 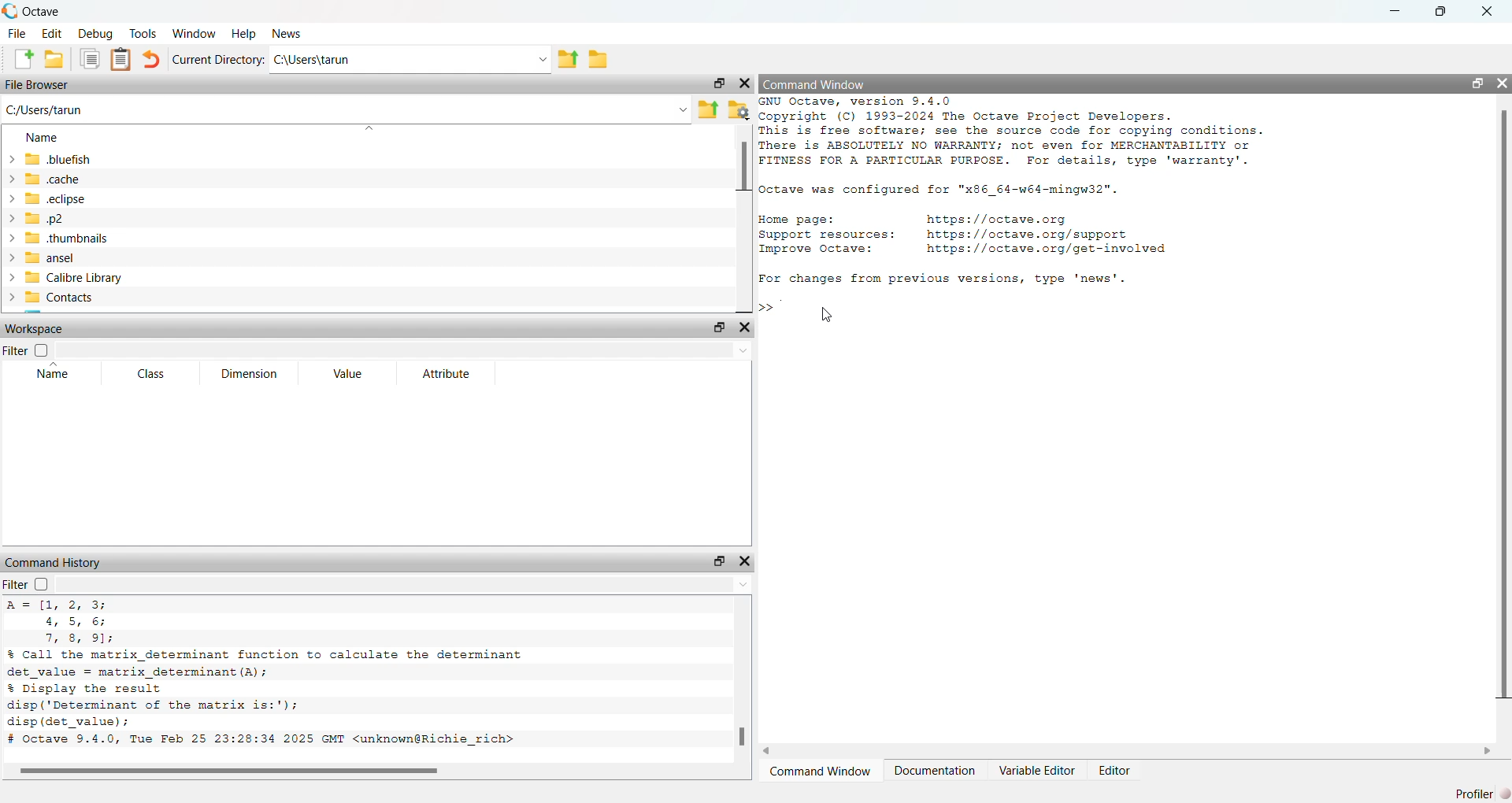 I want to click on off, so click(x=44, y=350).